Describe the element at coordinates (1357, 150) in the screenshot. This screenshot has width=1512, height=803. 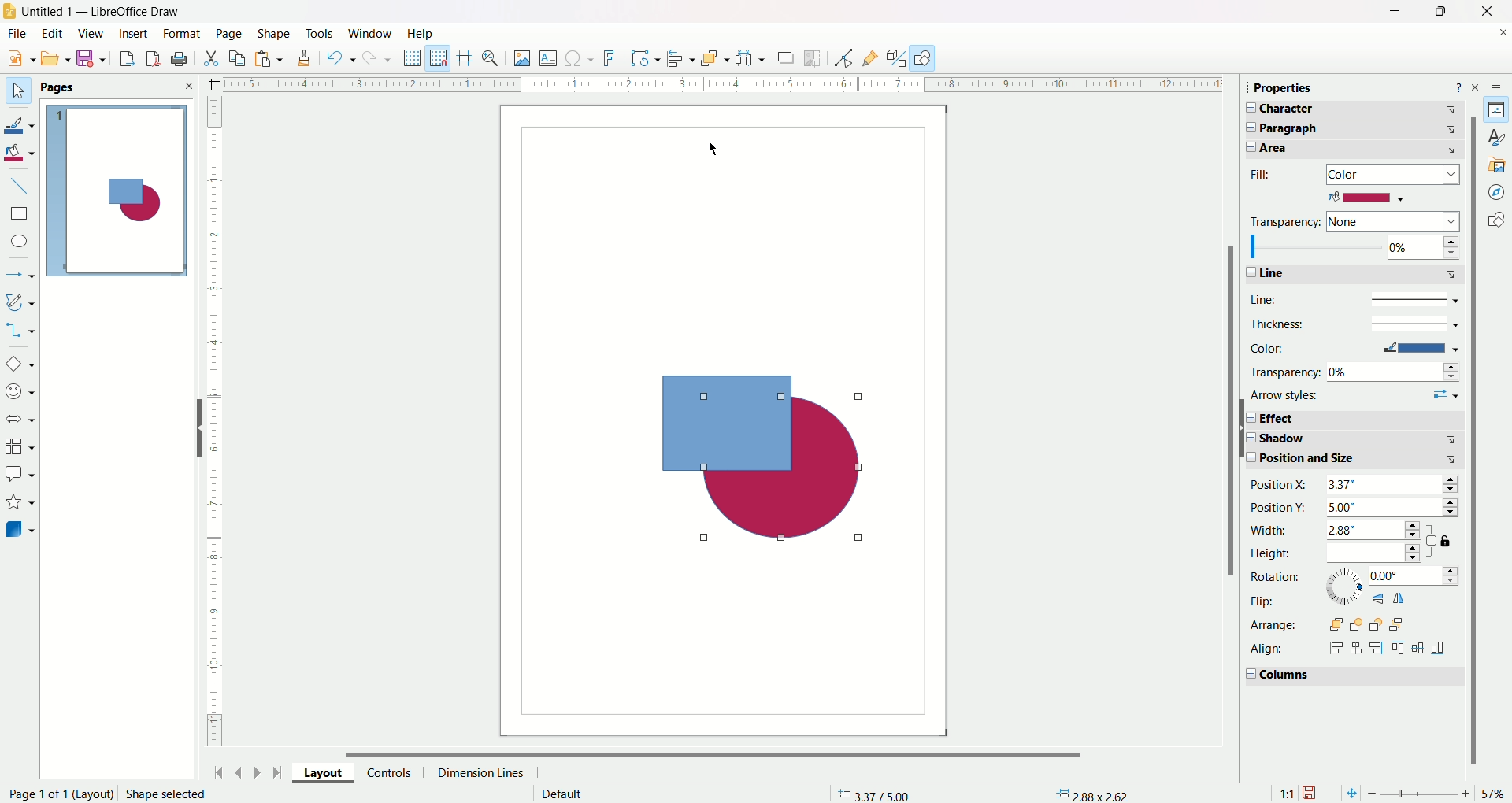
I see `area` at that location.